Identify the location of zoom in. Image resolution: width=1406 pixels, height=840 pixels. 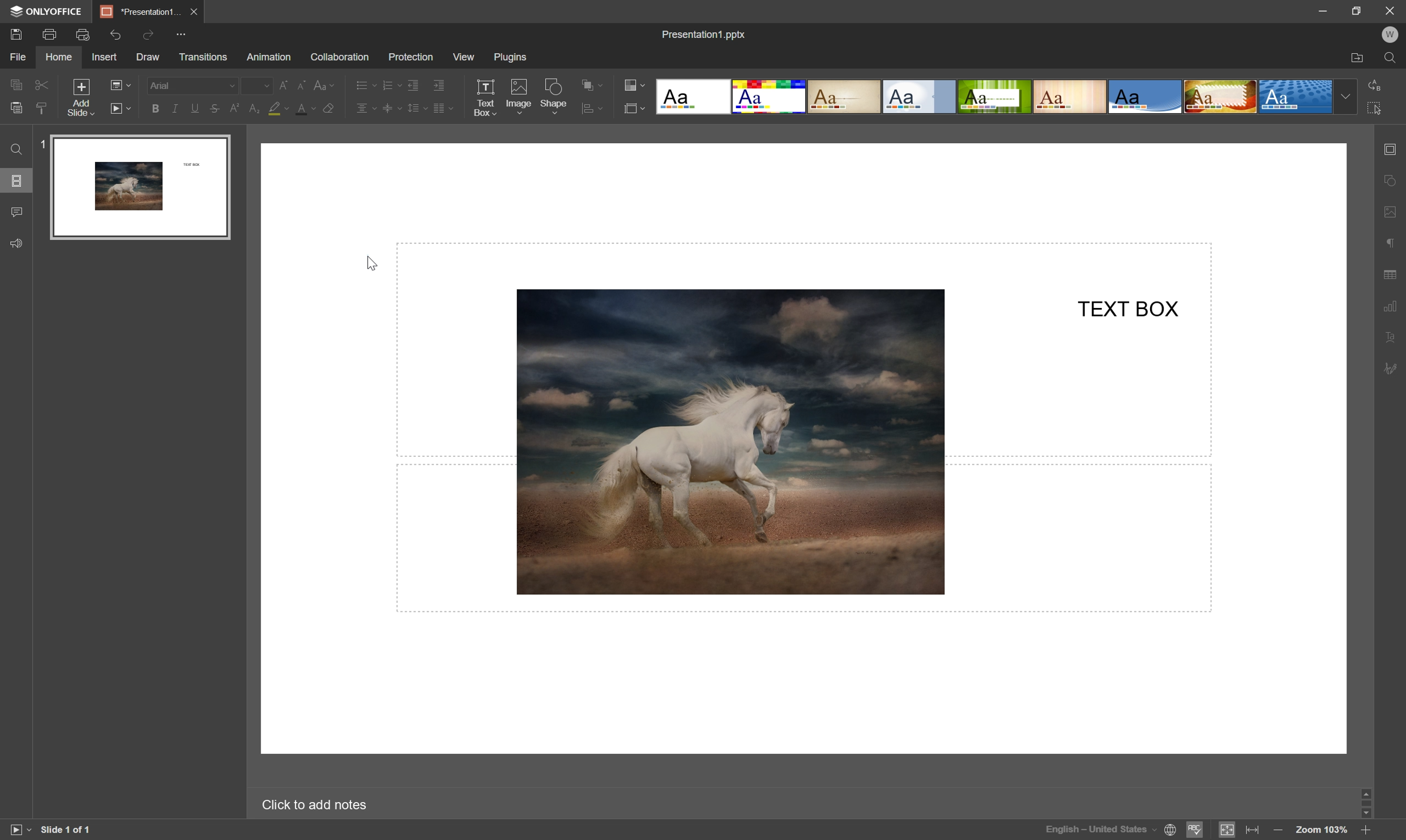
(1366, 831).